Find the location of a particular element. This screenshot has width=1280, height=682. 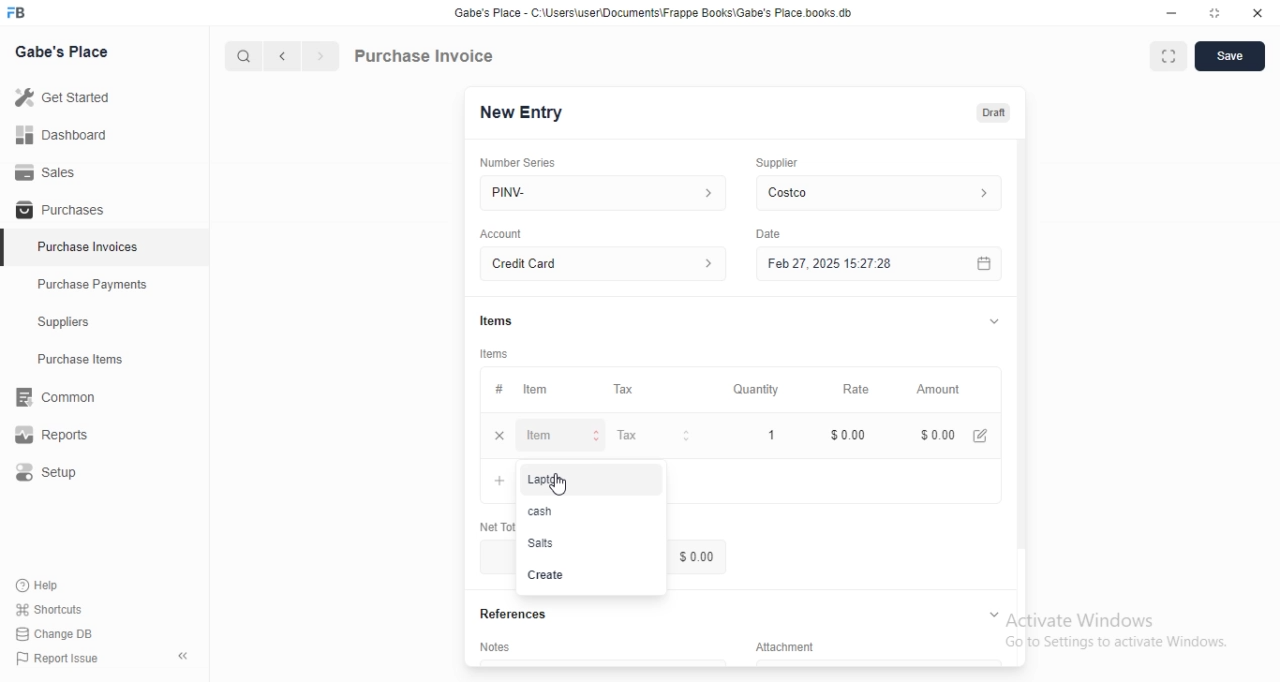

Create is located at coordinates (591, 575).